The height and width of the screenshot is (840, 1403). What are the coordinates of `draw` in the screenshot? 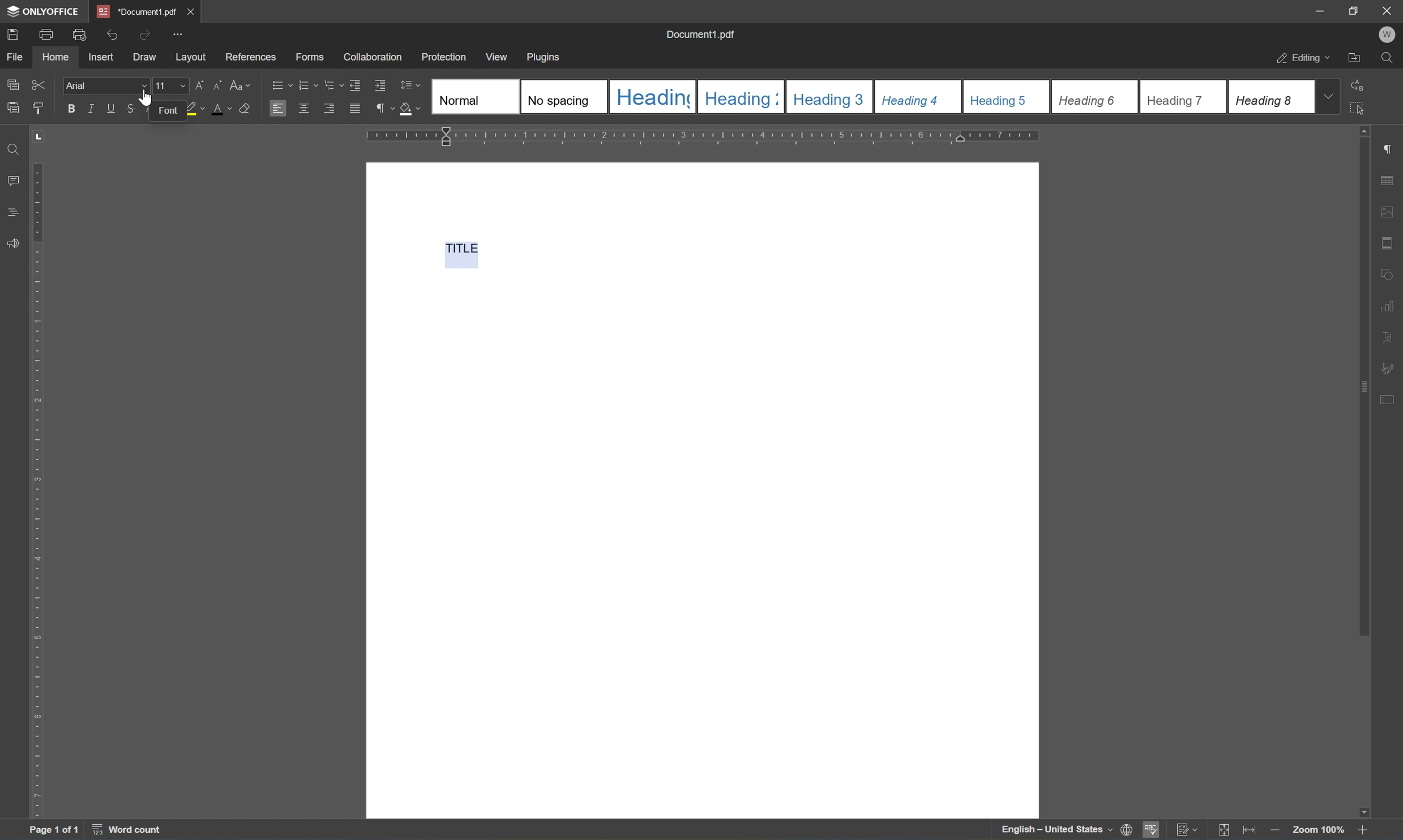 It's located at (143, 56).